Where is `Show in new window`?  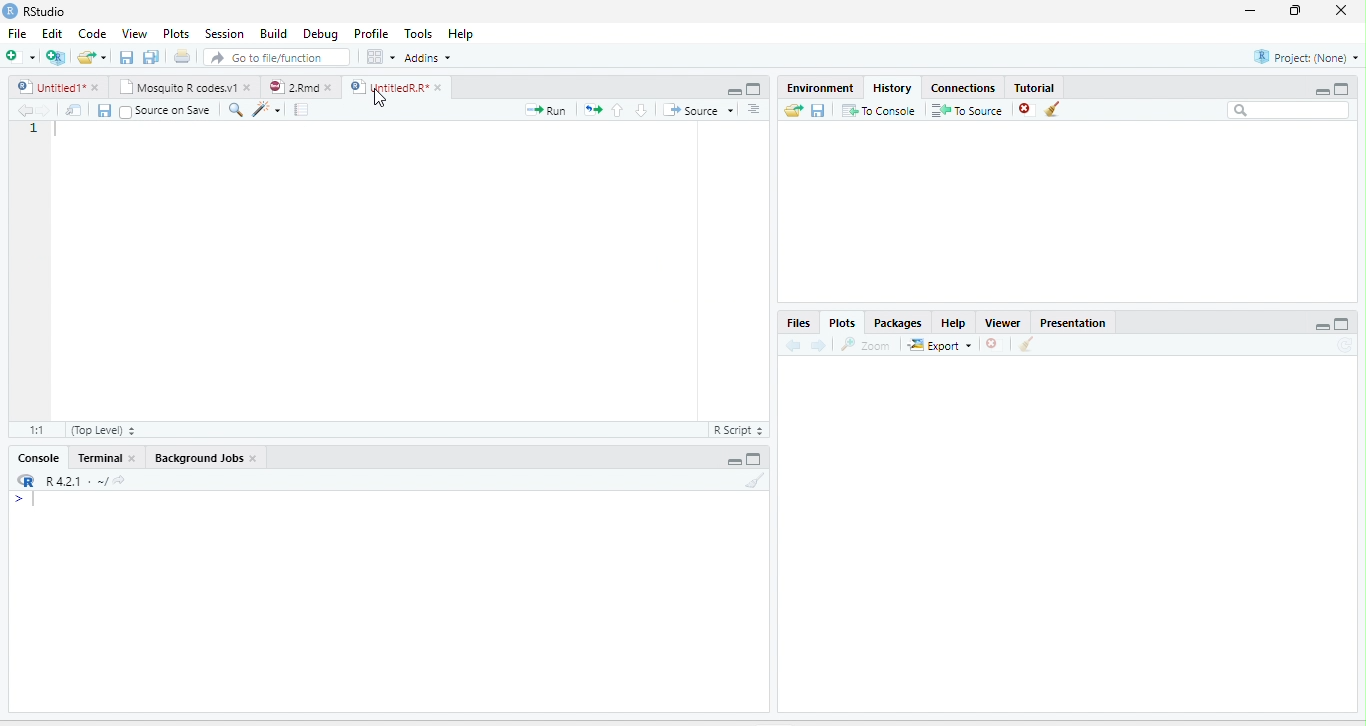 Show in new window is located at coordinates (74, 109).